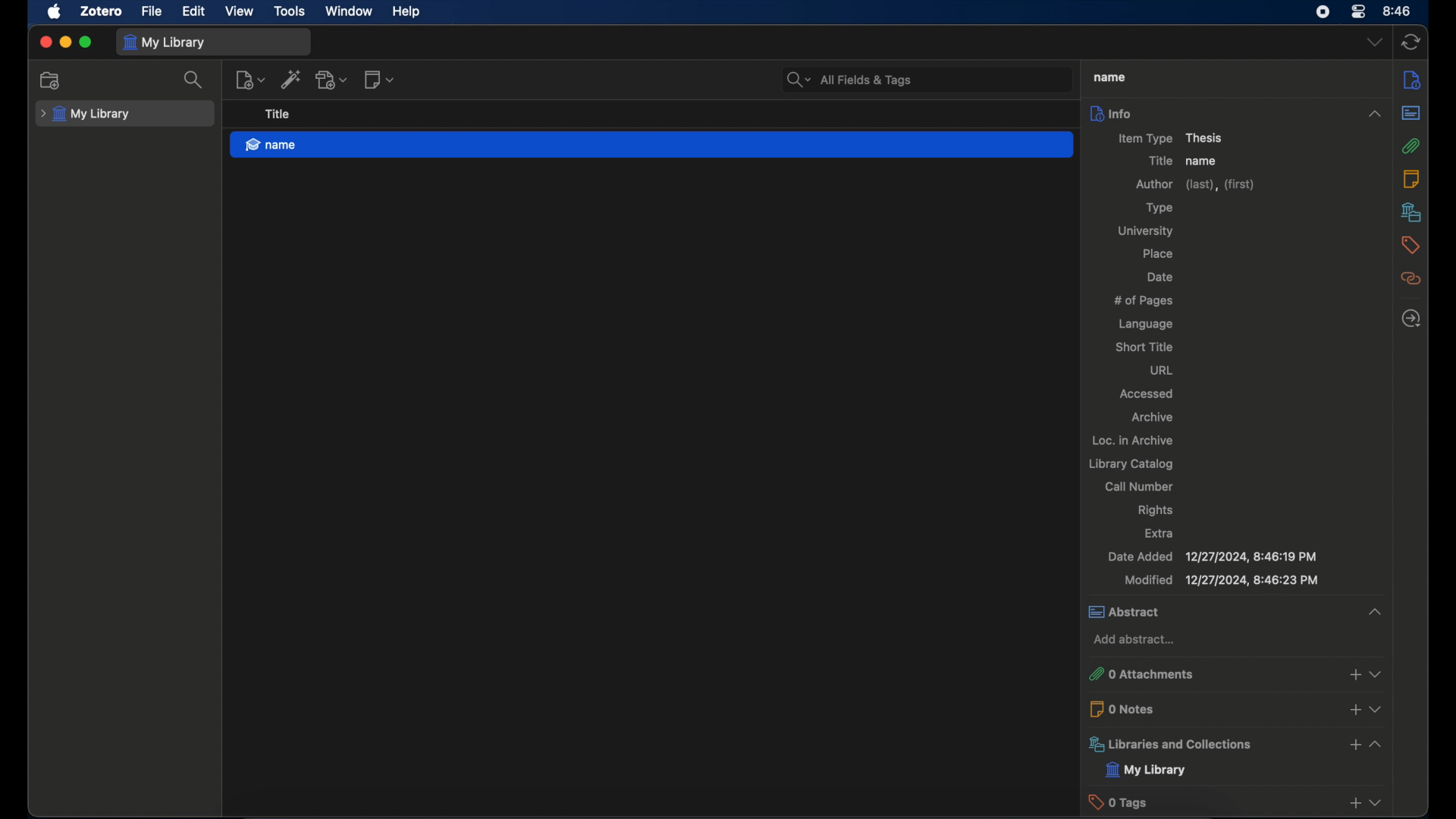 Image resolution: width=1456 pixels, height=819 pixels. Describe the element at coordinates (1414, 80) in the screenshot. I see `info` at that location.